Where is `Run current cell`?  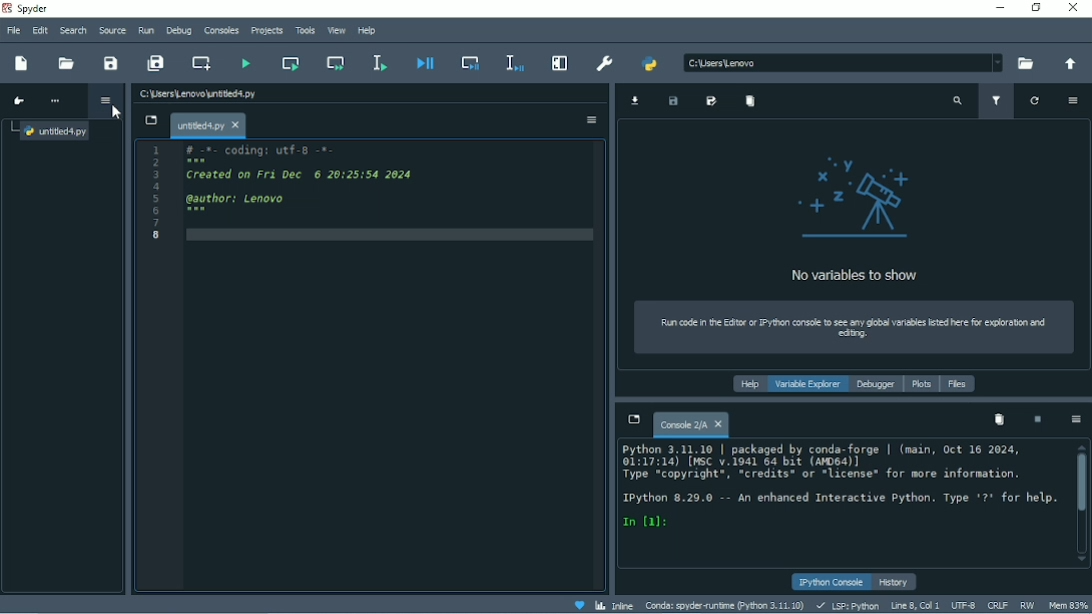 Run current cell is located at coordinates (289, 63).